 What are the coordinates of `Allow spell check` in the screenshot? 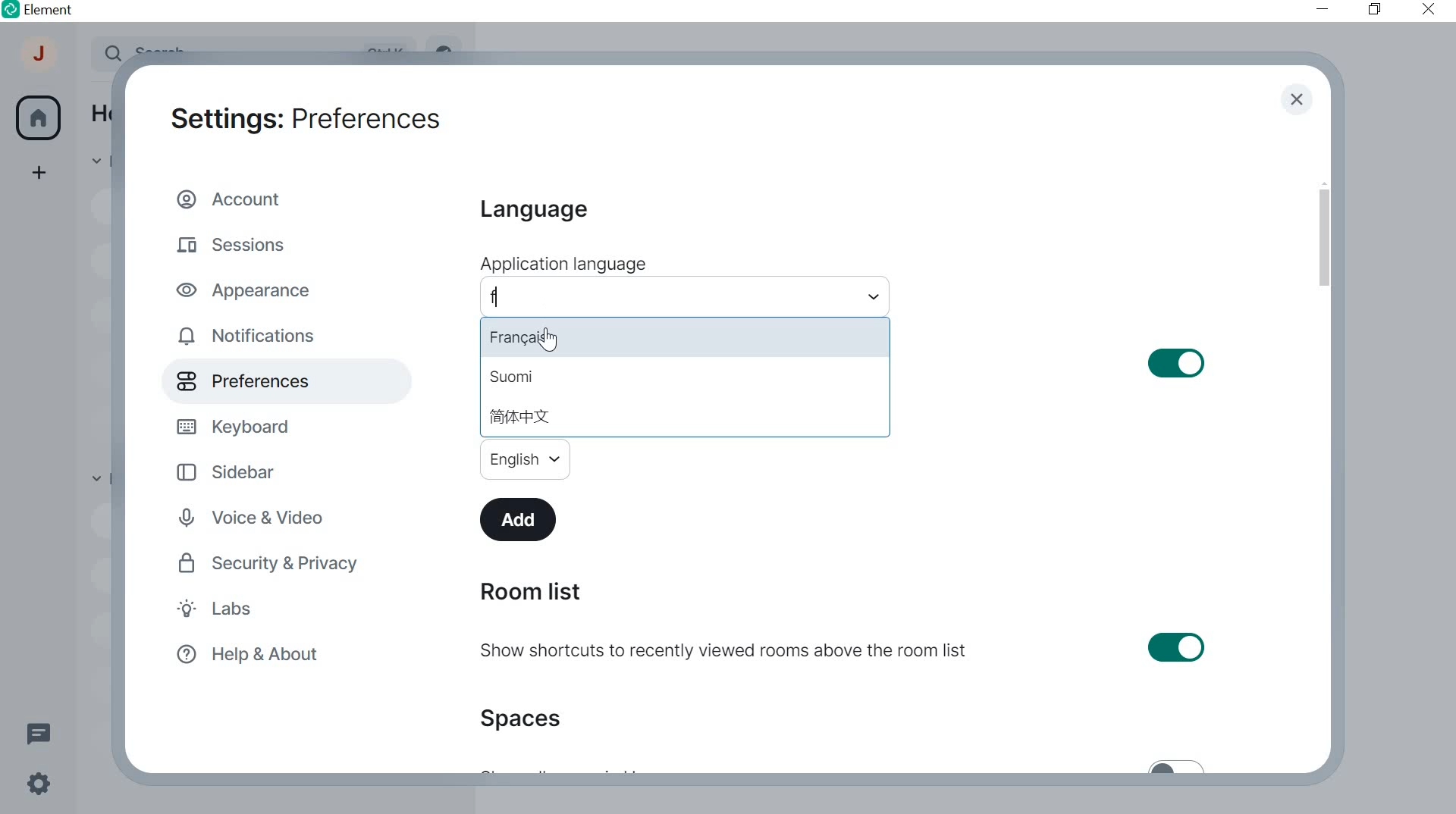 It's located at (1055, 363).